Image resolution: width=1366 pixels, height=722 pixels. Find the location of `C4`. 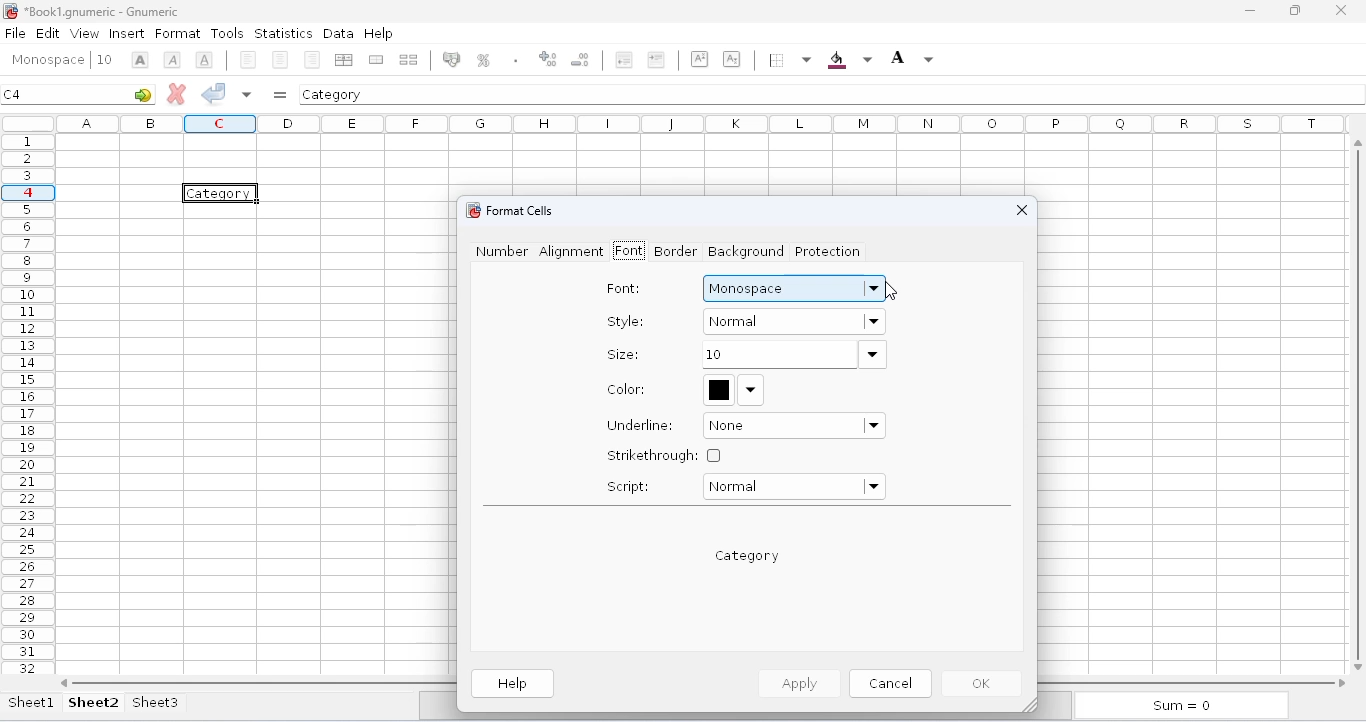

C4 is located at coordinates (13, 94).